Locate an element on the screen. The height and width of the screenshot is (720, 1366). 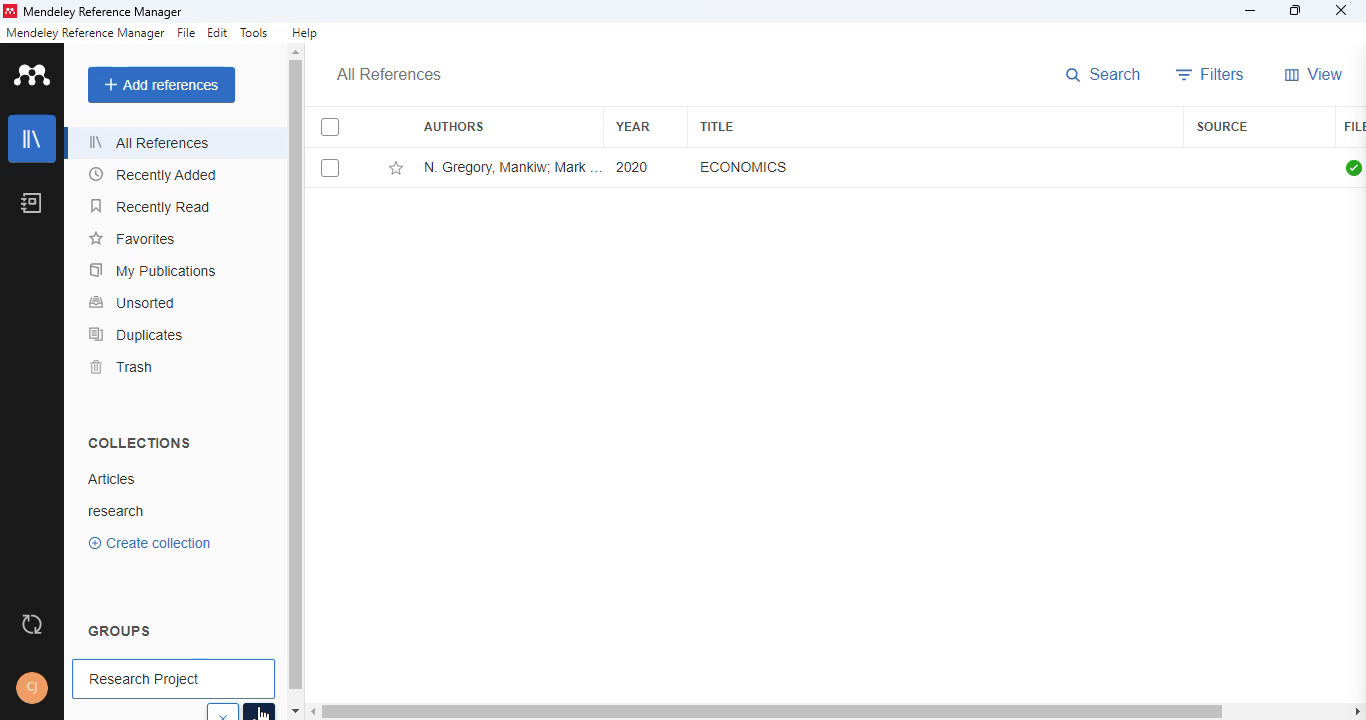
recently added is located at coordinates (153, 174).